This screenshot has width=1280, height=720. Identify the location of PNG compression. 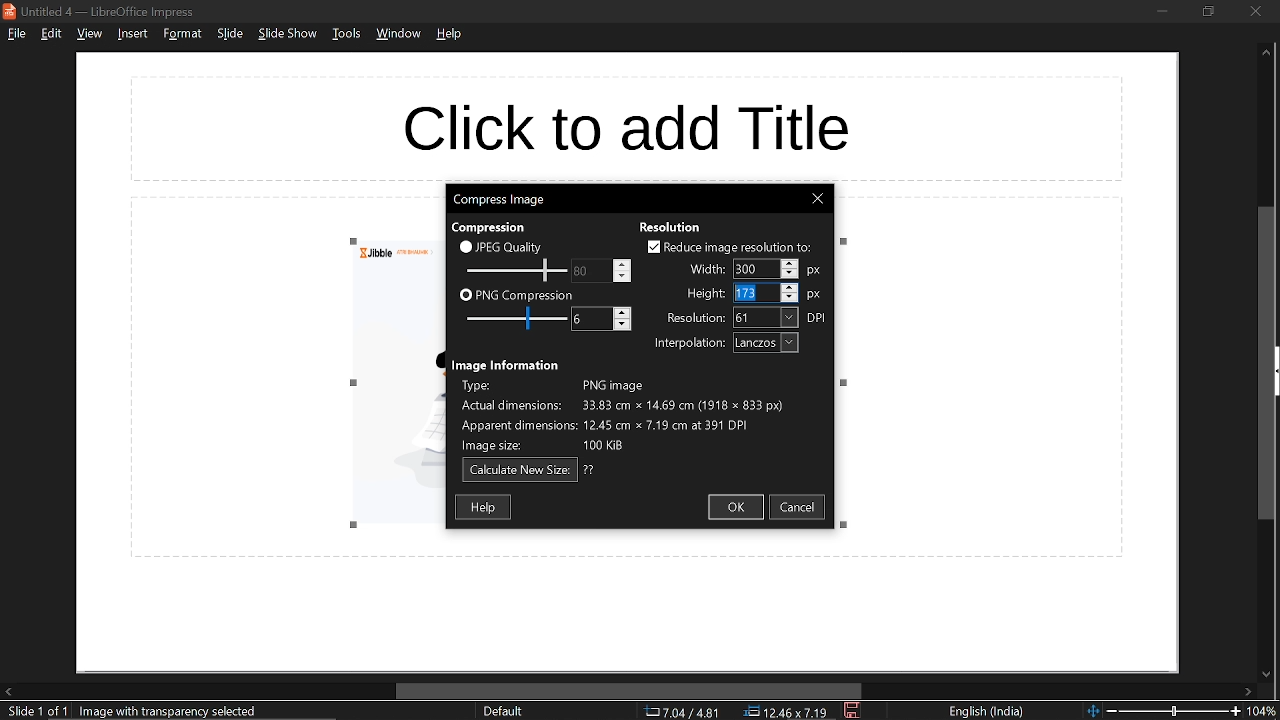
(526, 294).